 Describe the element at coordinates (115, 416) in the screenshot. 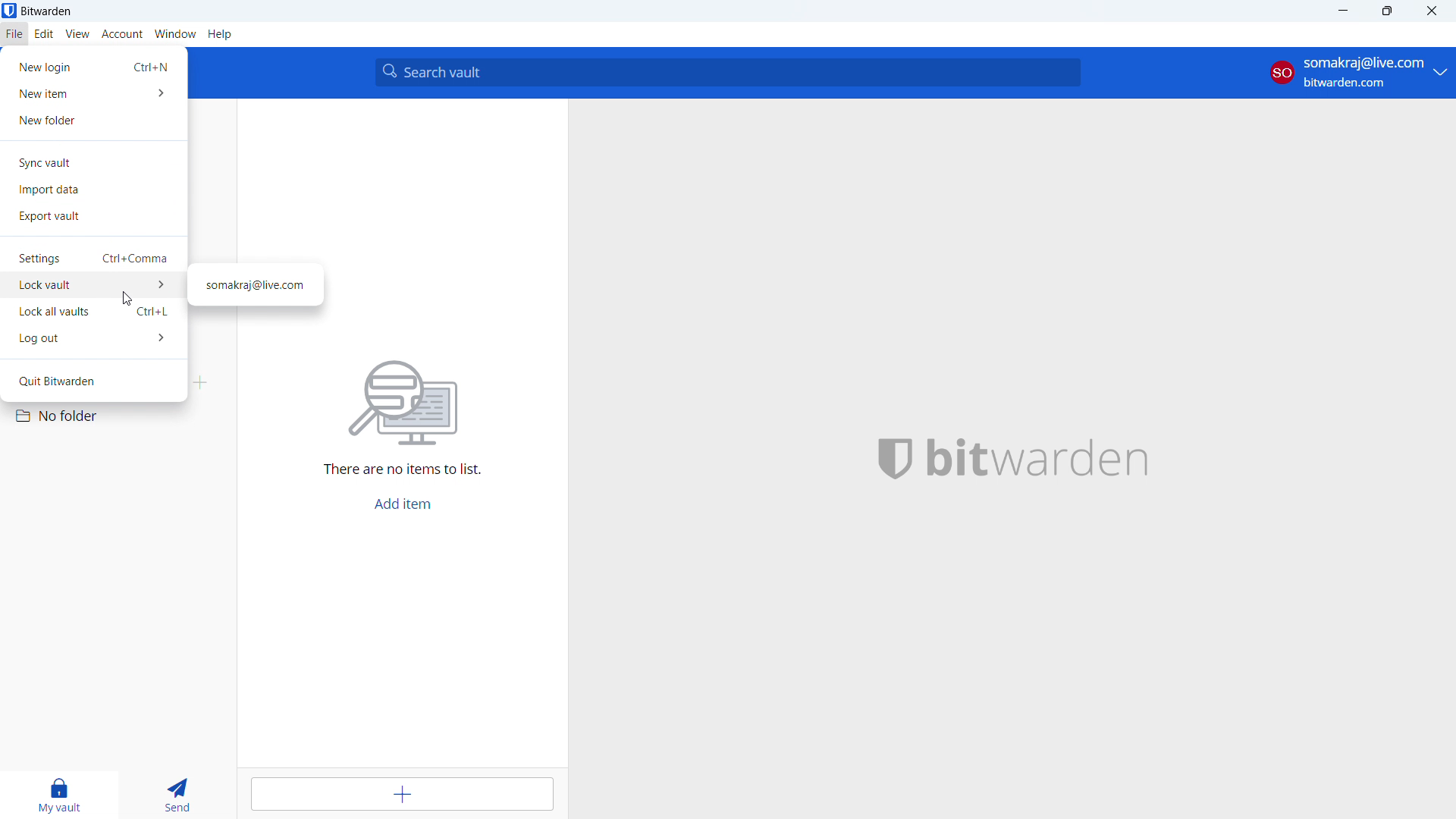

I see `no folder` at that location.